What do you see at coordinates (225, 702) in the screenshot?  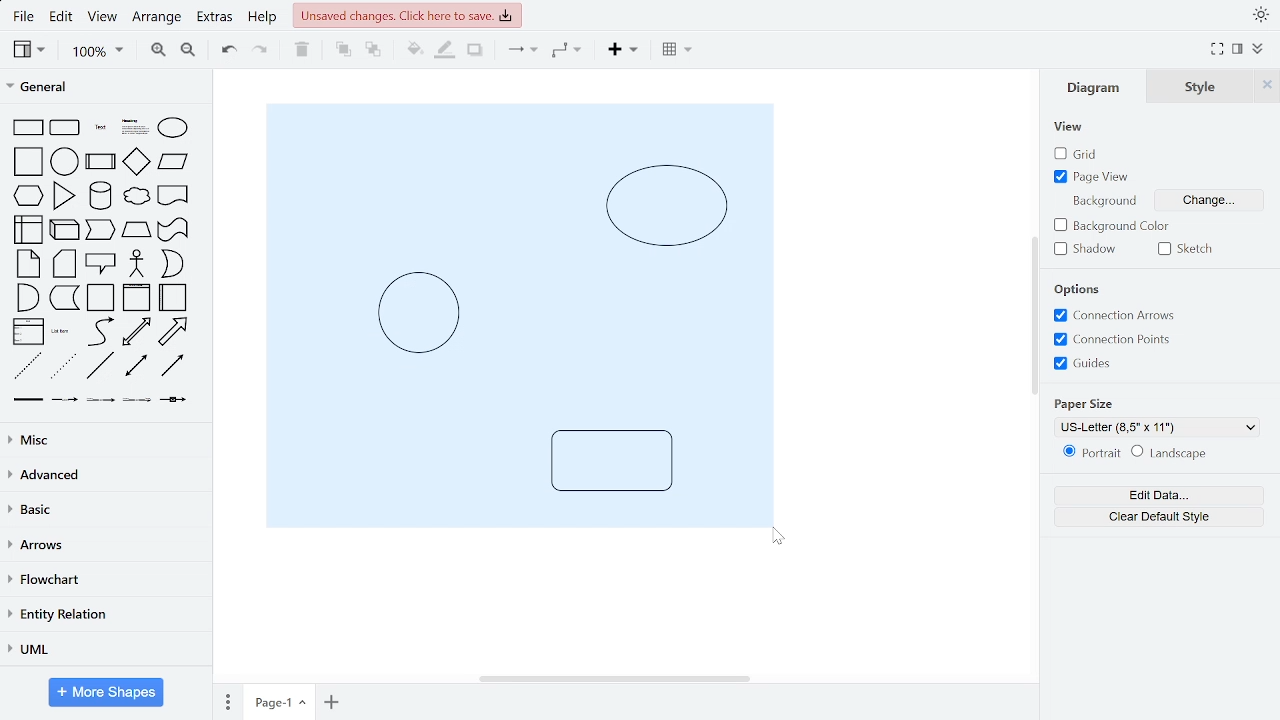 I see `pages` at bounding box center [225, 702].